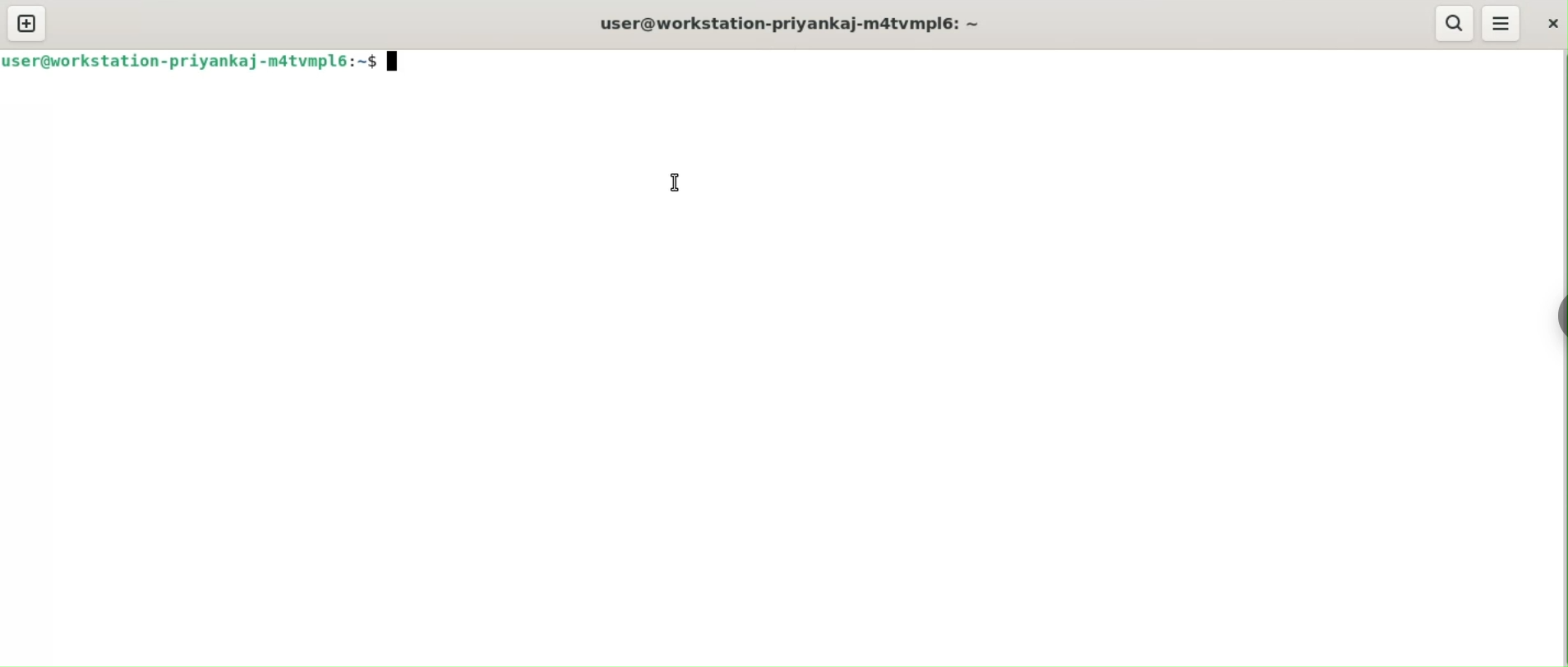 This screenshot has height=667, width=1568. I want to click on menu, so click(1499, 23).